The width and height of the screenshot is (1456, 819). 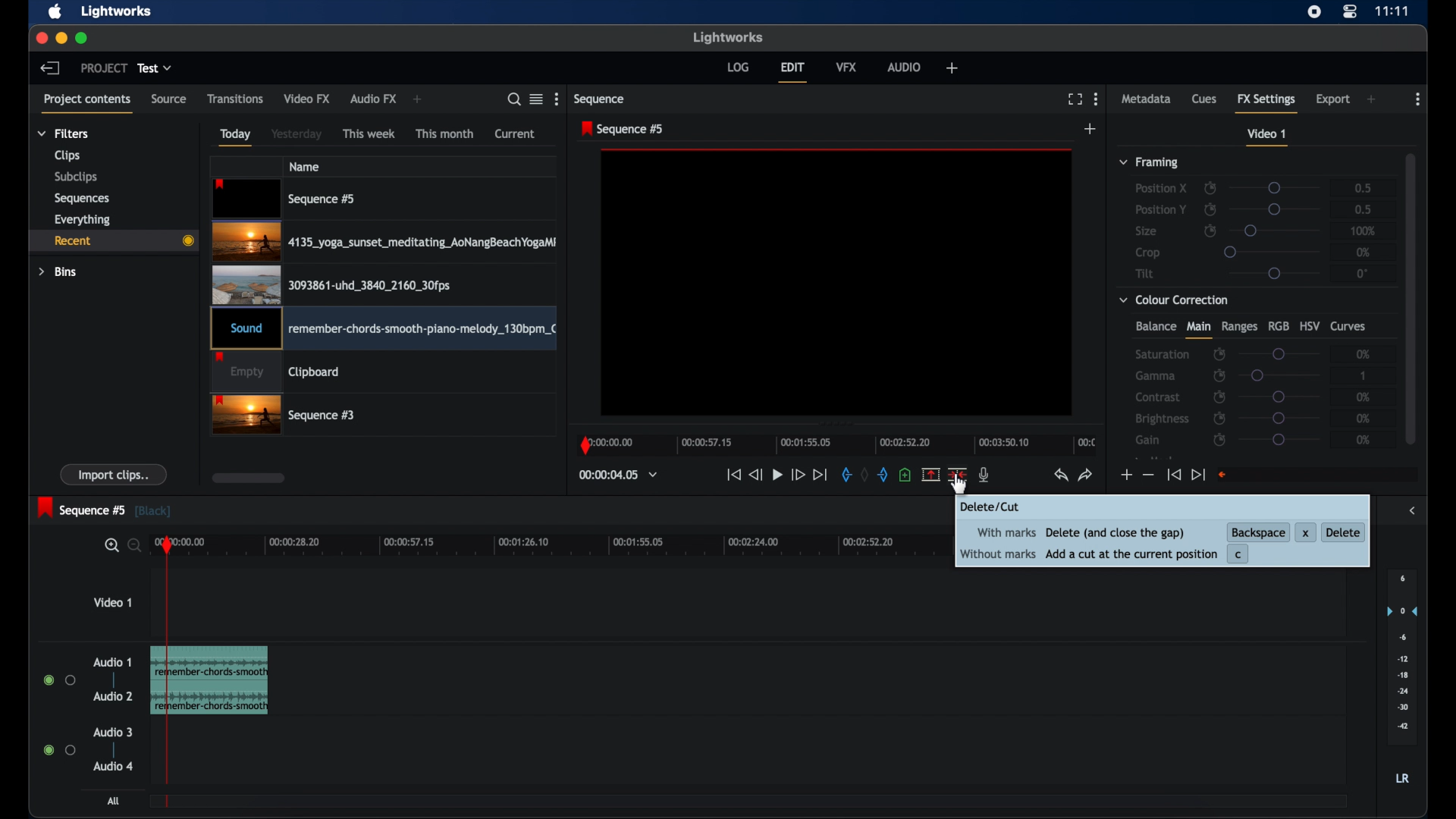 I want to click on size, so click(x=1146, y=231).